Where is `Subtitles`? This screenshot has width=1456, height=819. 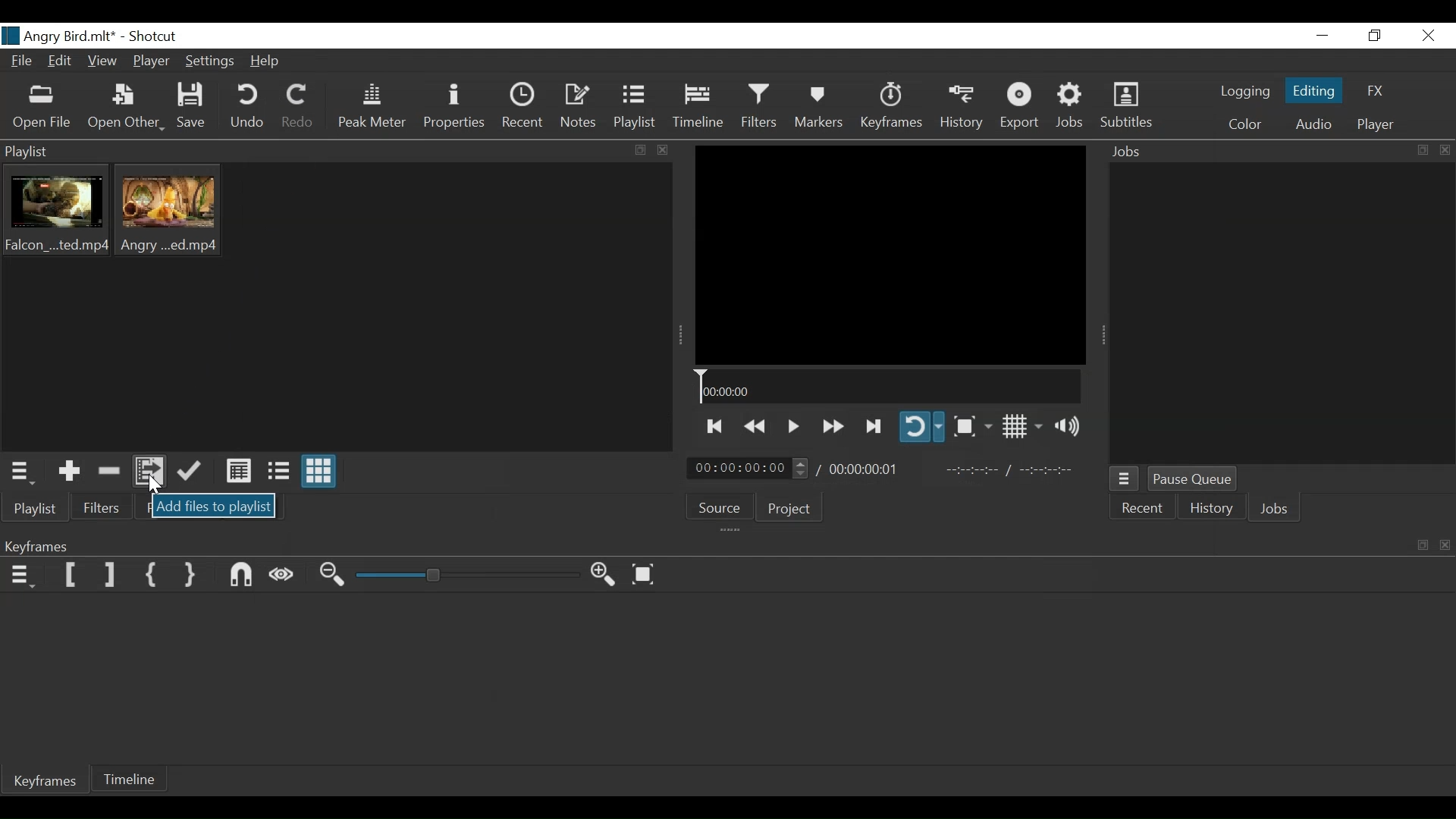 Subtitles is located at coordinates (1132, 106).